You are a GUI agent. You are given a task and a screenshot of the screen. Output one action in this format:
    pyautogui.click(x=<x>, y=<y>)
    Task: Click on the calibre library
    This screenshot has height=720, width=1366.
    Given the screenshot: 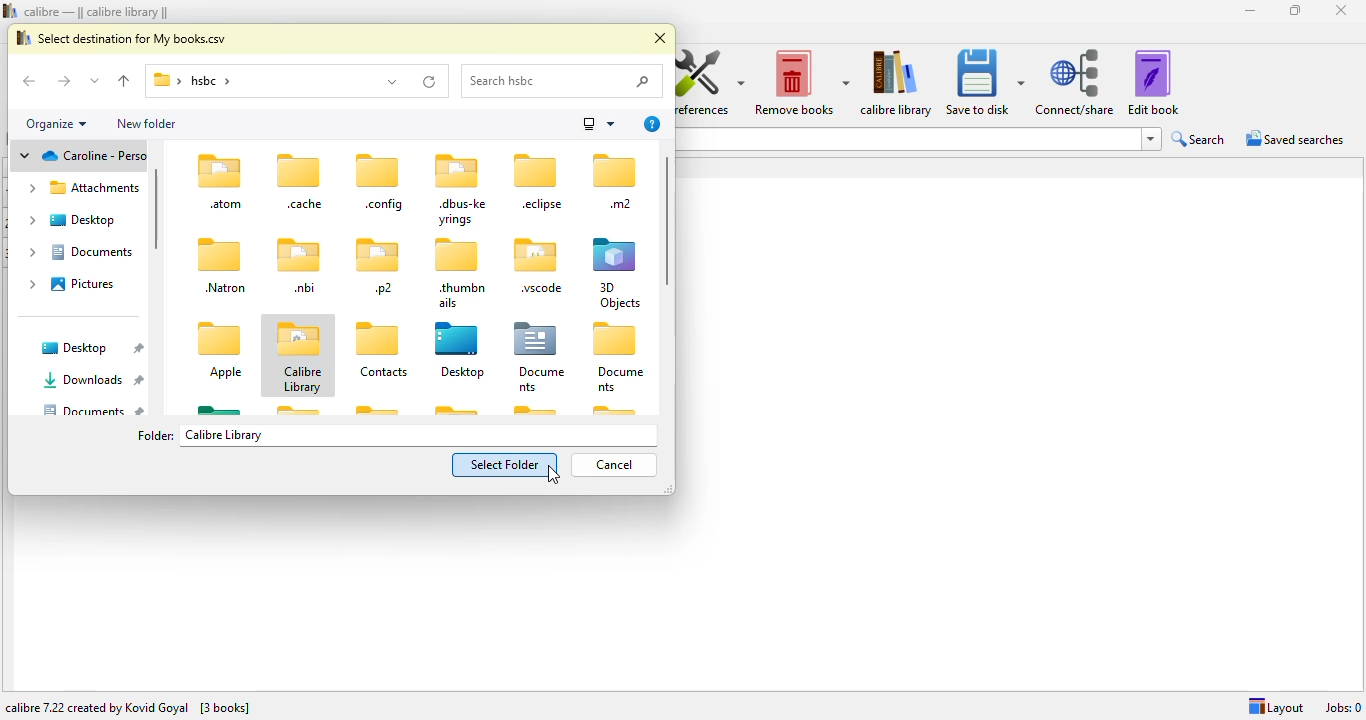 What is the action you would take?
    pyautogui.click(x=333, y=339)
    